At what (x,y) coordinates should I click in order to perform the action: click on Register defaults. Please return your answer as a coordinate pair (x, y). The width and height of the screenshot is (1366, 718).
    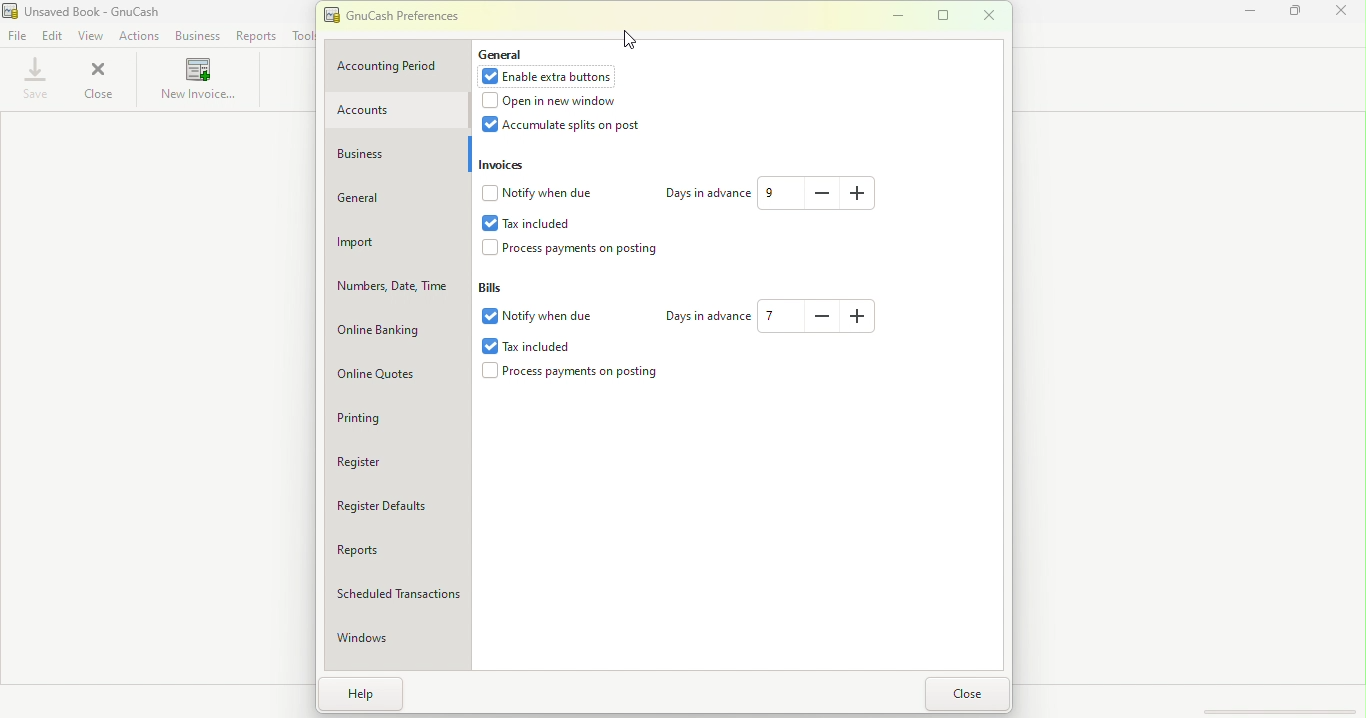
    Looking at the image, I should click on (397, 504).